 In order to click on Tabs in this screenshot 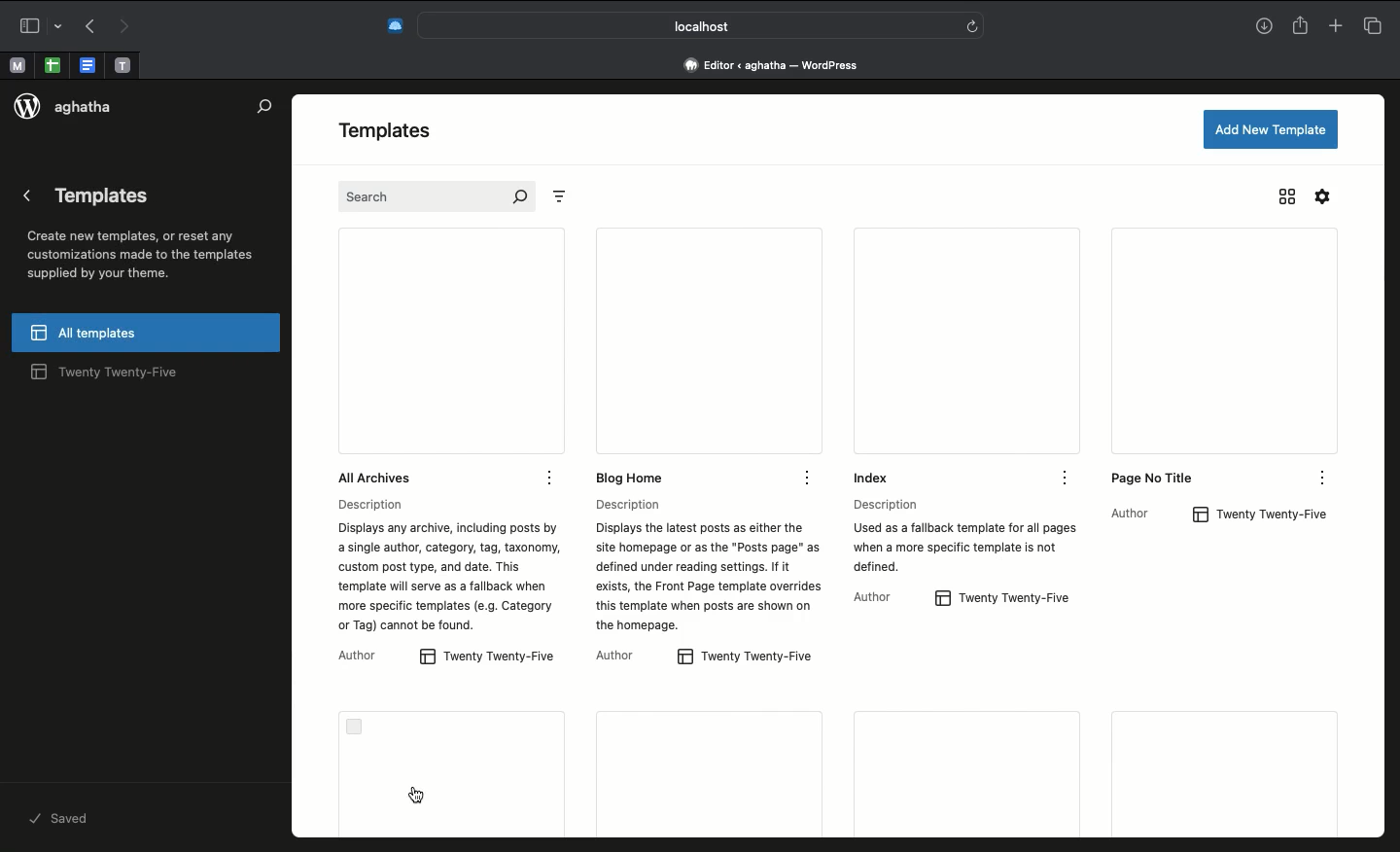, I will do `click(1378, 23)`.